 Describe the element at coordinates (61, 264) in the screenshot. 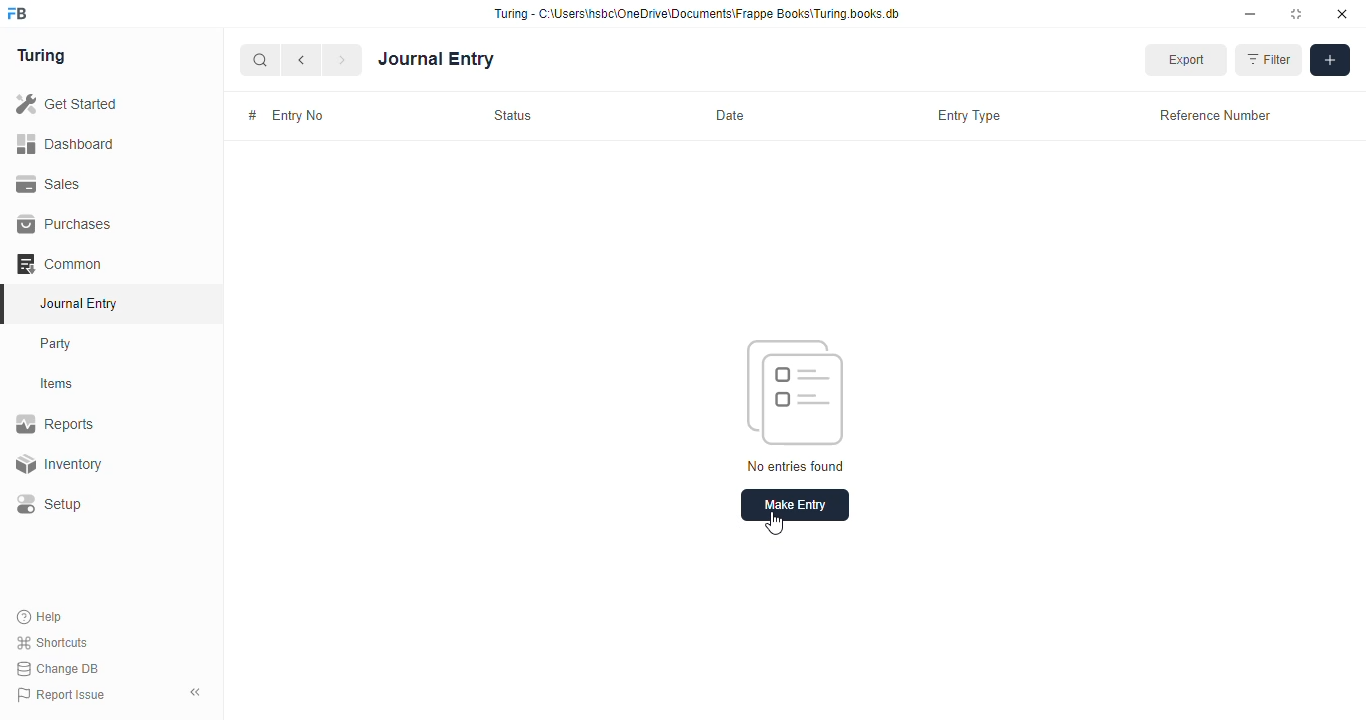

I see `common` at that location.